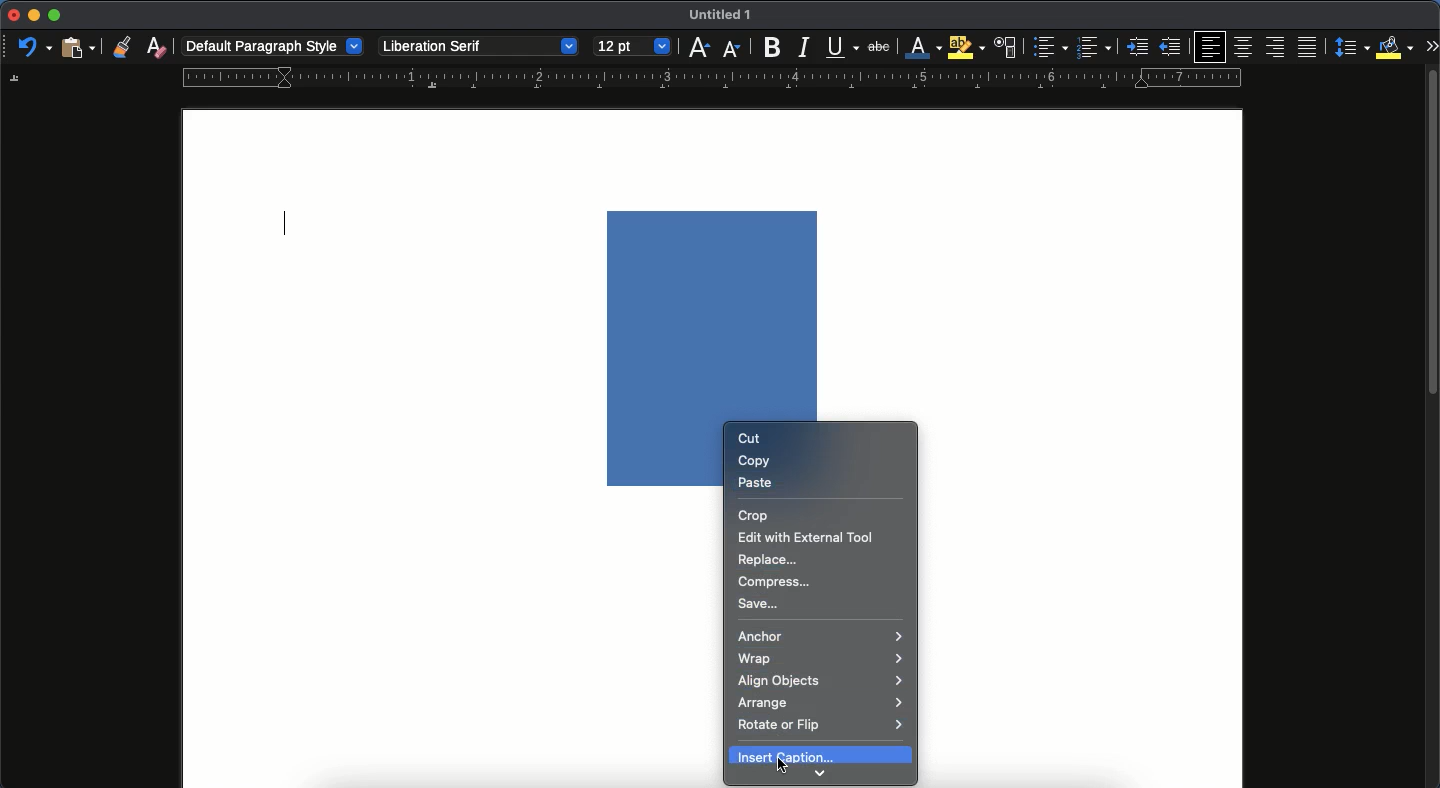 This screenshot has height=788, width=1440. I want to click on maximize, so click(54, 15).